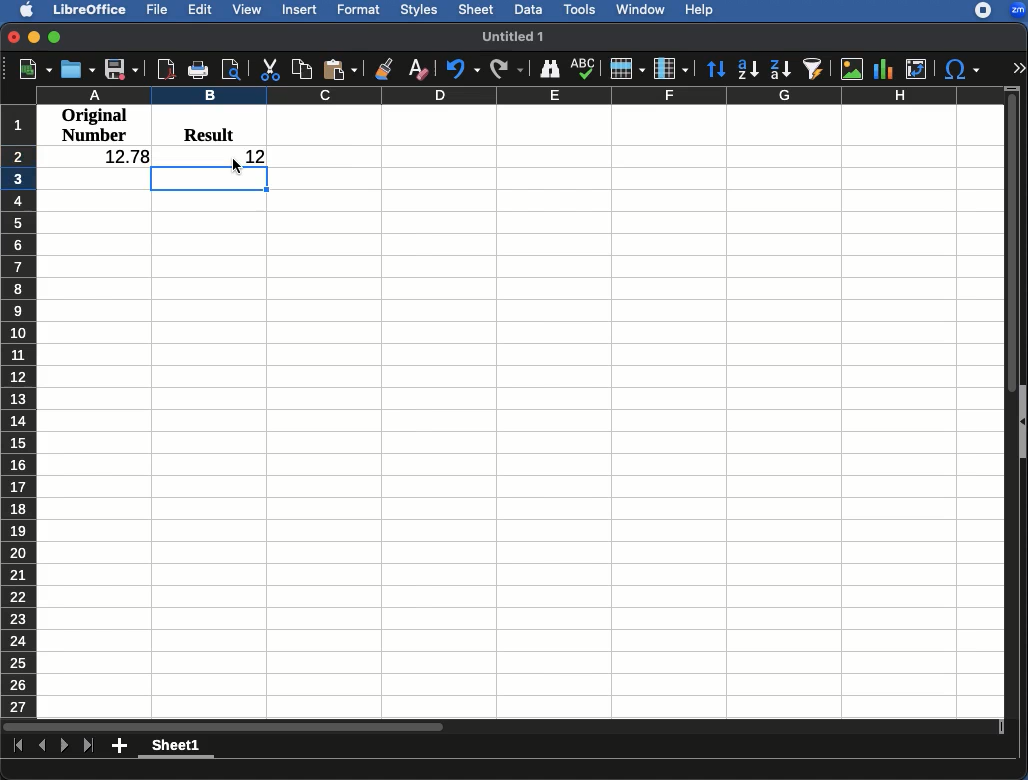 Image resolution: width=1028 pixels, height=780 pixels. What do you see at coordinates (257, 156) in the screenshot?
I see `12` at bounding box center [257, 156].